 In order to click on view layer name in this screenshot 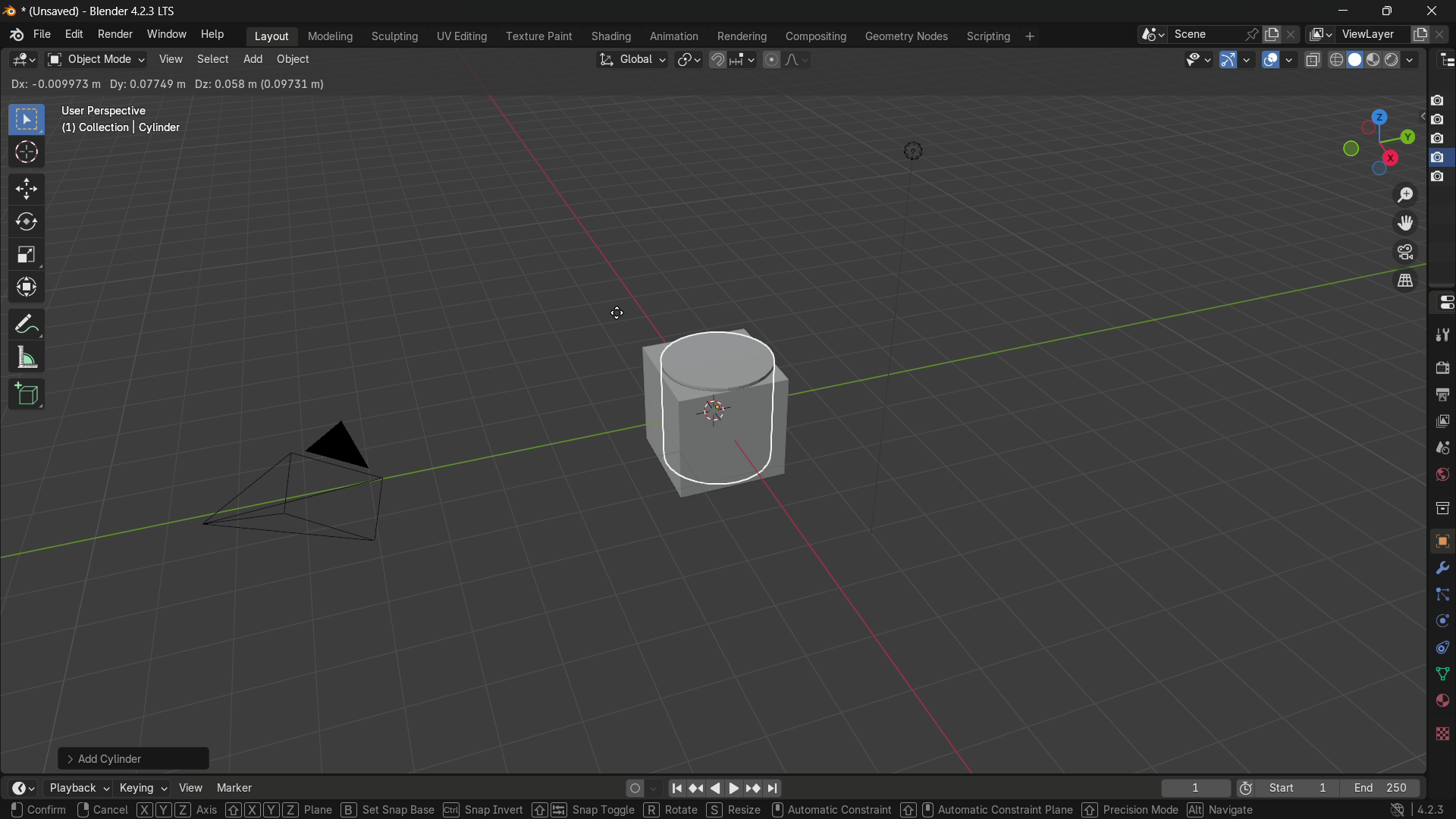, I will do `click(1372, 35)`.